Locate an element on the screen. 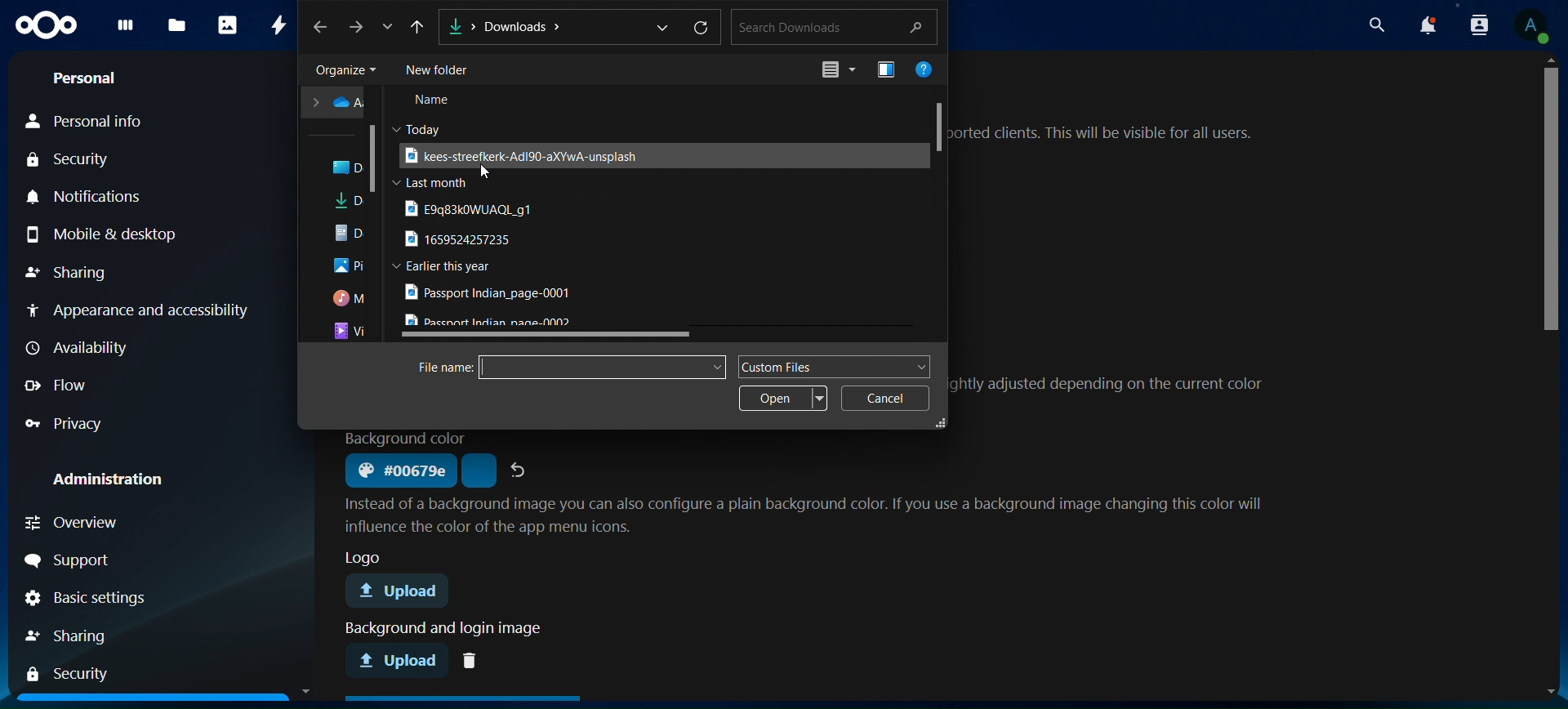 This screenshot has width=1568, height=709. refresh is located at coordinates (702, 29).